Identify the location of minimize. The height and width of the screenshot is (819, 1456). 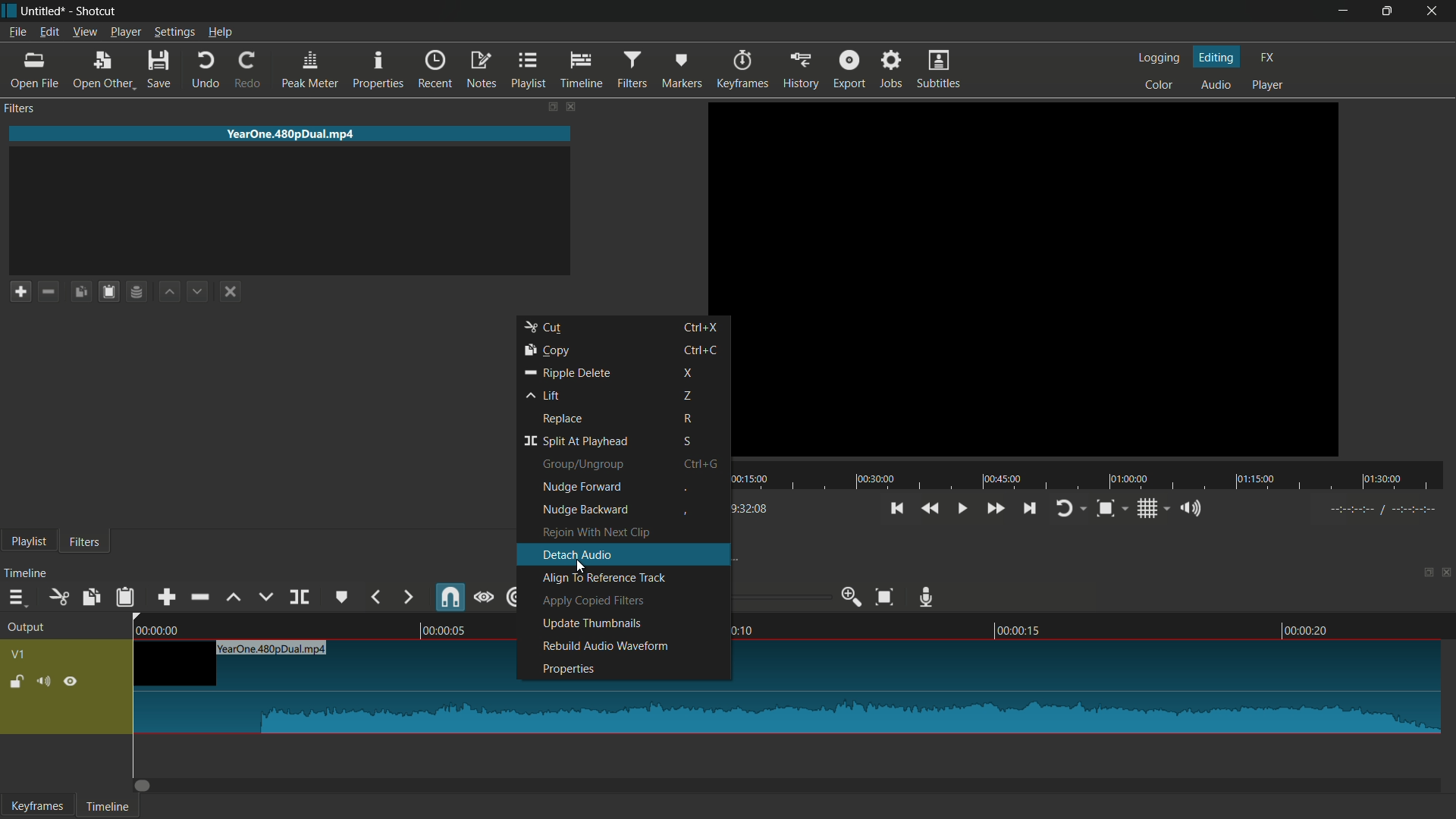
(1344, 11).